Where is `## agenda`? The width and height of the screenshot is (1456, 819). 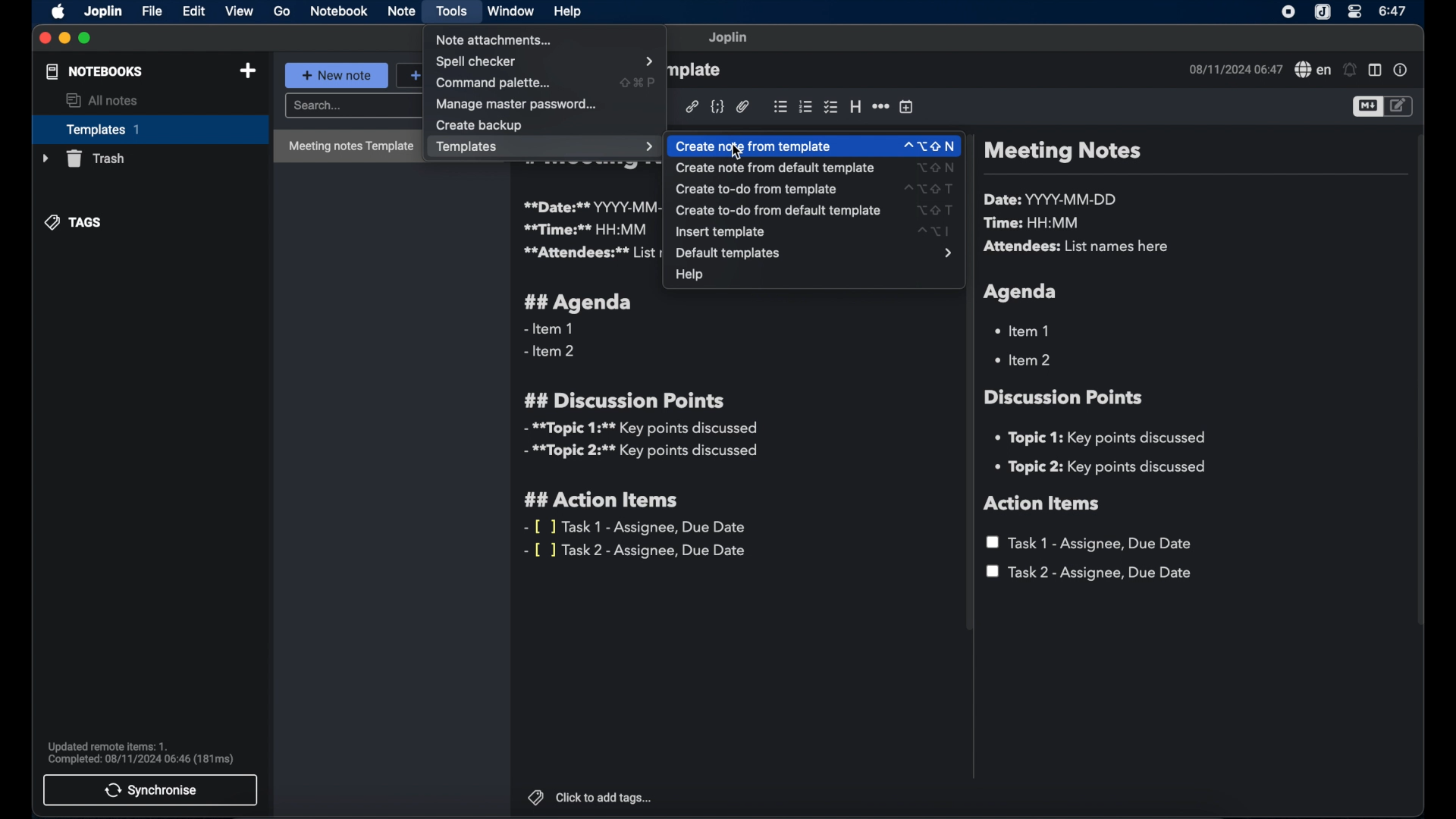 ## agenda is located at coordinates (579, 303).